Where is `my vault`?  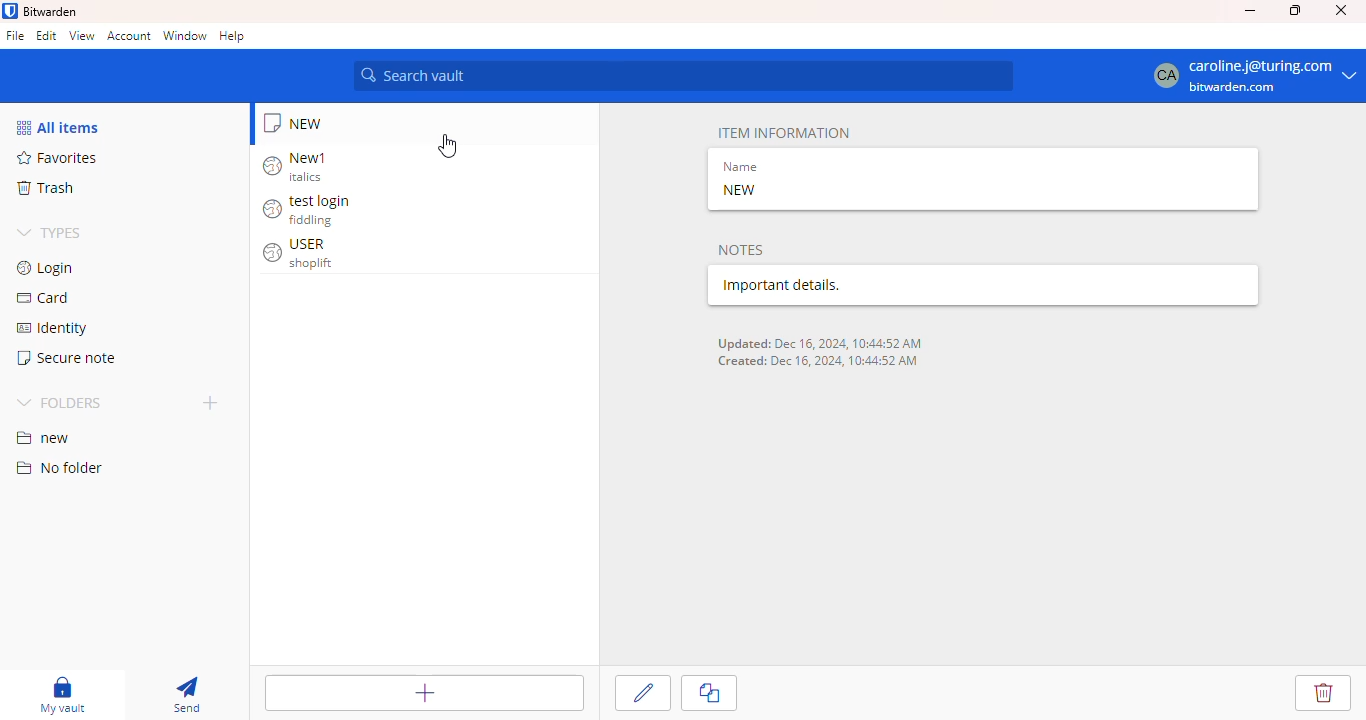 my vault is located at coordinates (70, 695).